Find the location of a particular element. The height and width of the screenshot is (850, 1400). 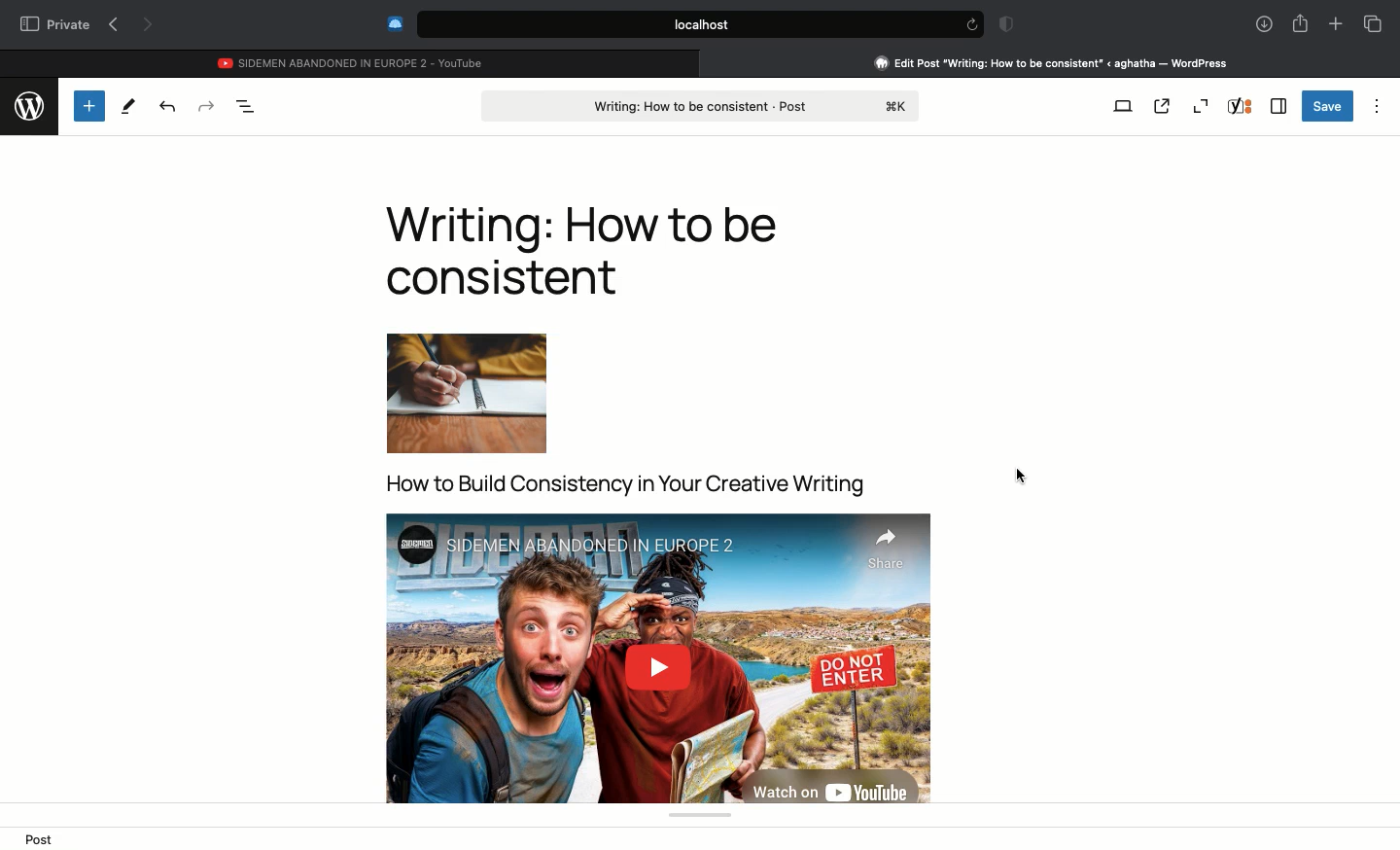

Tabs is located at coordinates (1373, 23).